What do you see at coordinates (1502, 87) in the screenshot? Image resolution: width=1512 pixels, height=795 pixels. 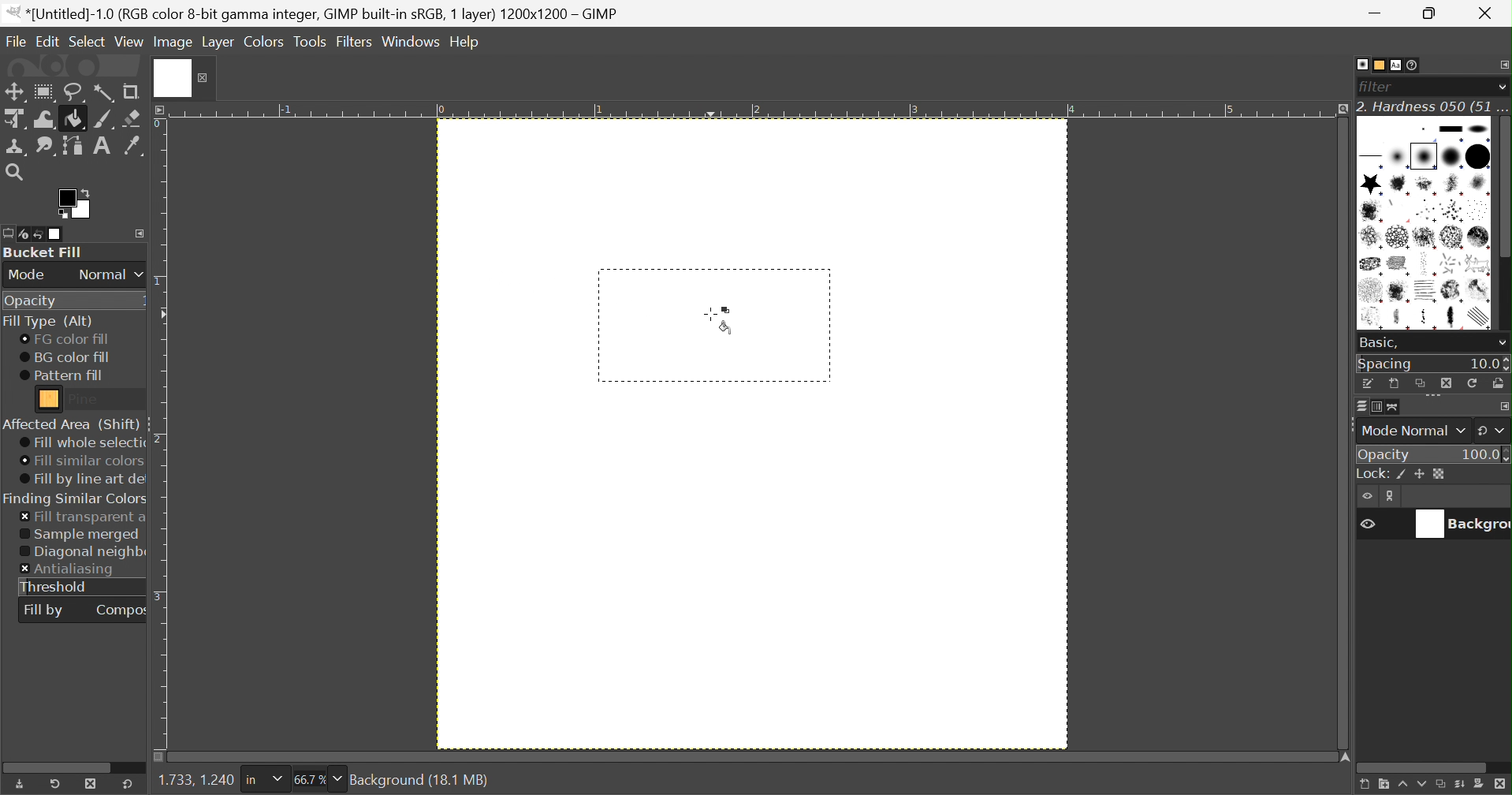 I see `Drop down` at bounding box center [1502, 87].